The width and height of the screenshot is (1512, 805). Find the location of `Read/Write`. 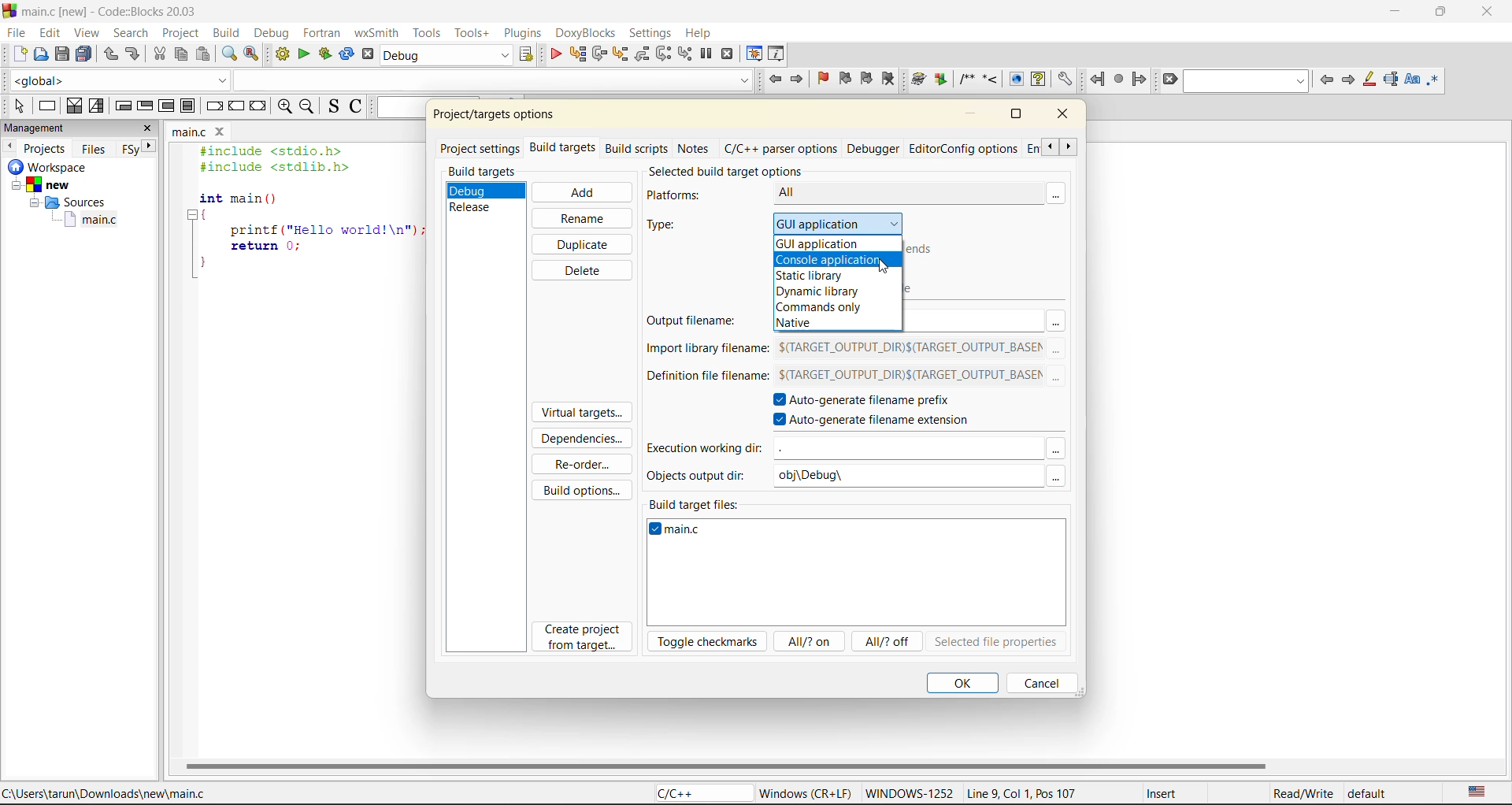

Read/Write is located at coordinates (1302, 794).